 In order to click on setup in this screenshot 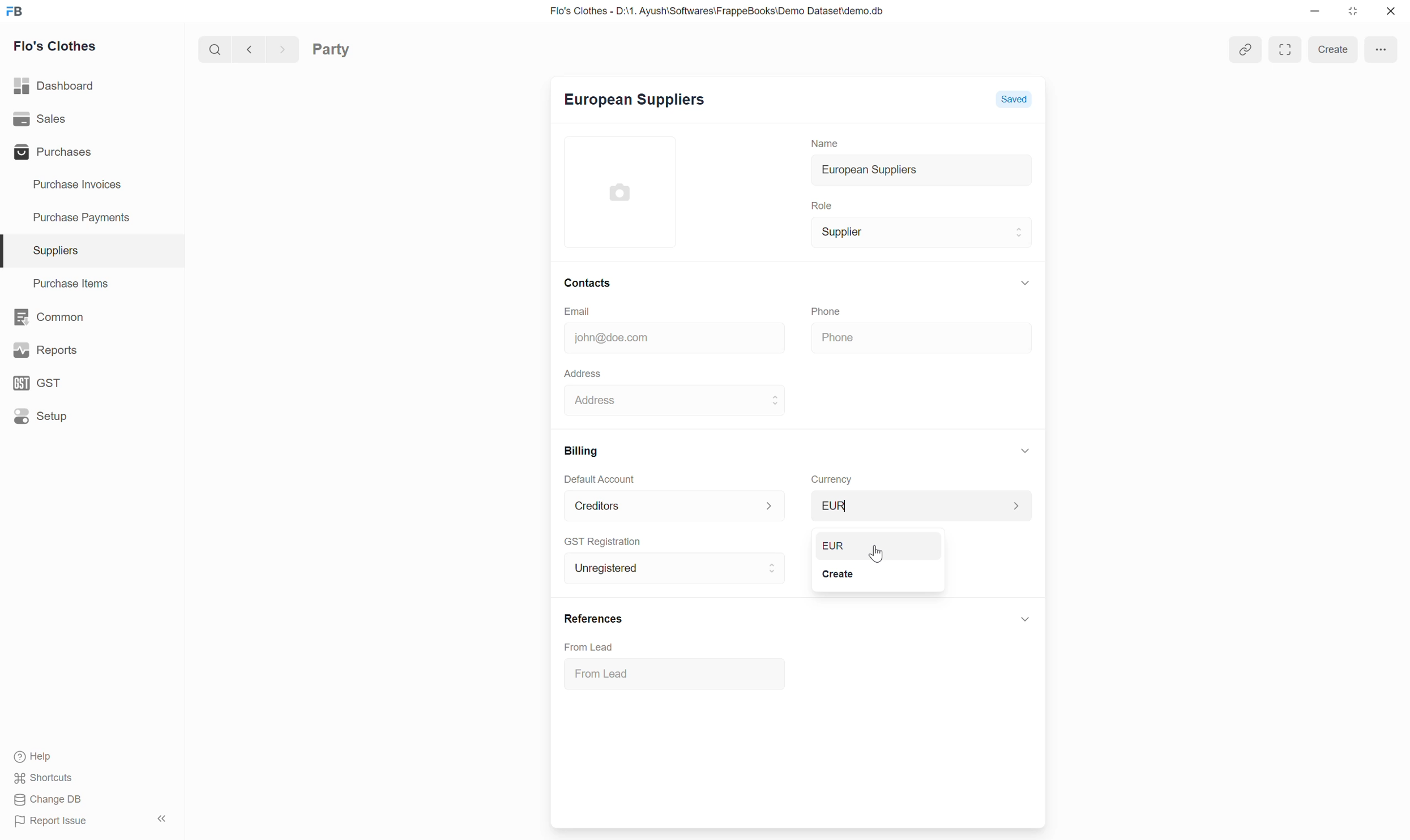, I will do `click(41, 416)`.